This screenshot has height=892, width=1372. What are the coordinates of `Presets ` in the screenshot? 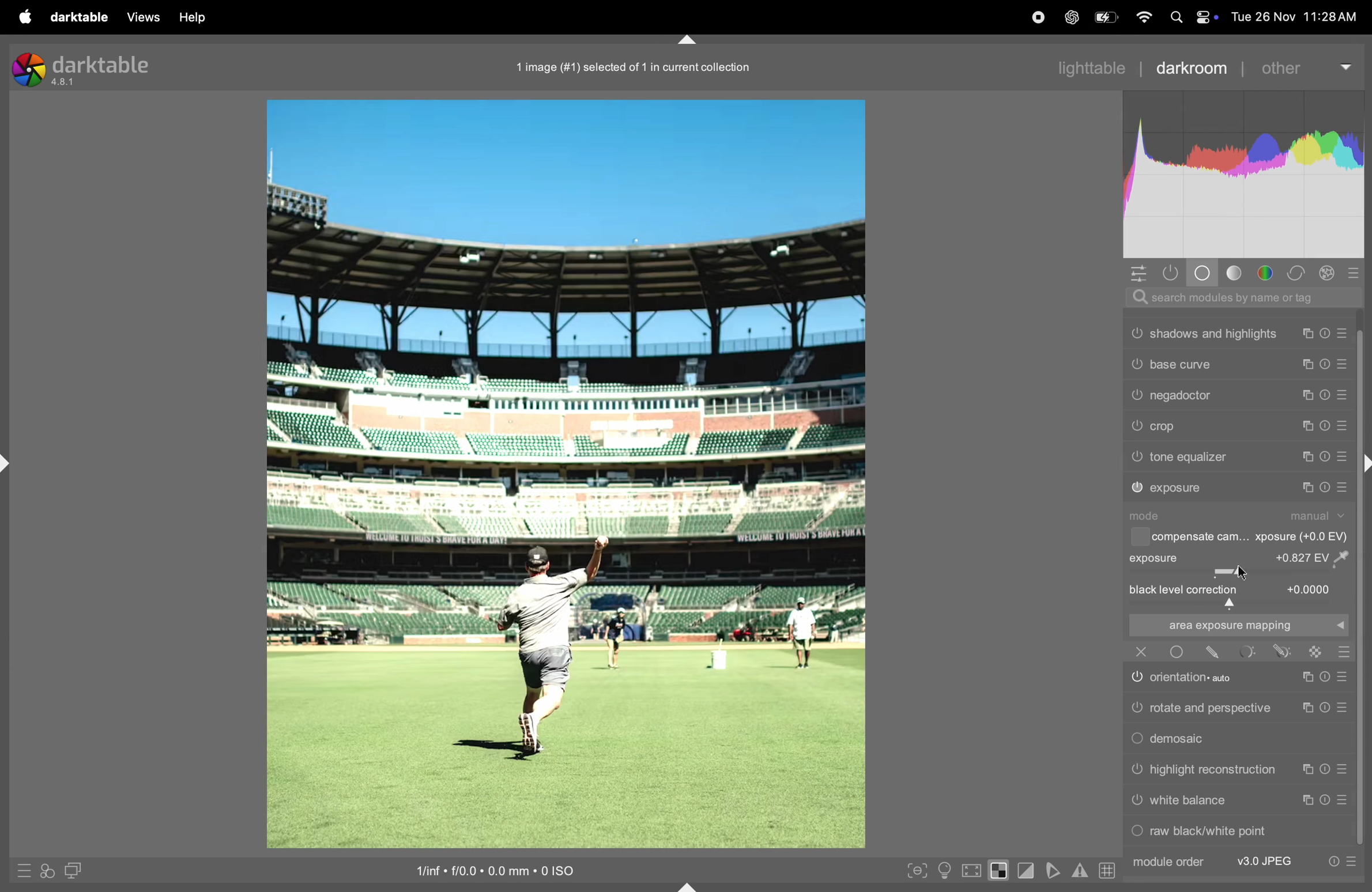 It's located at (1344, 395).